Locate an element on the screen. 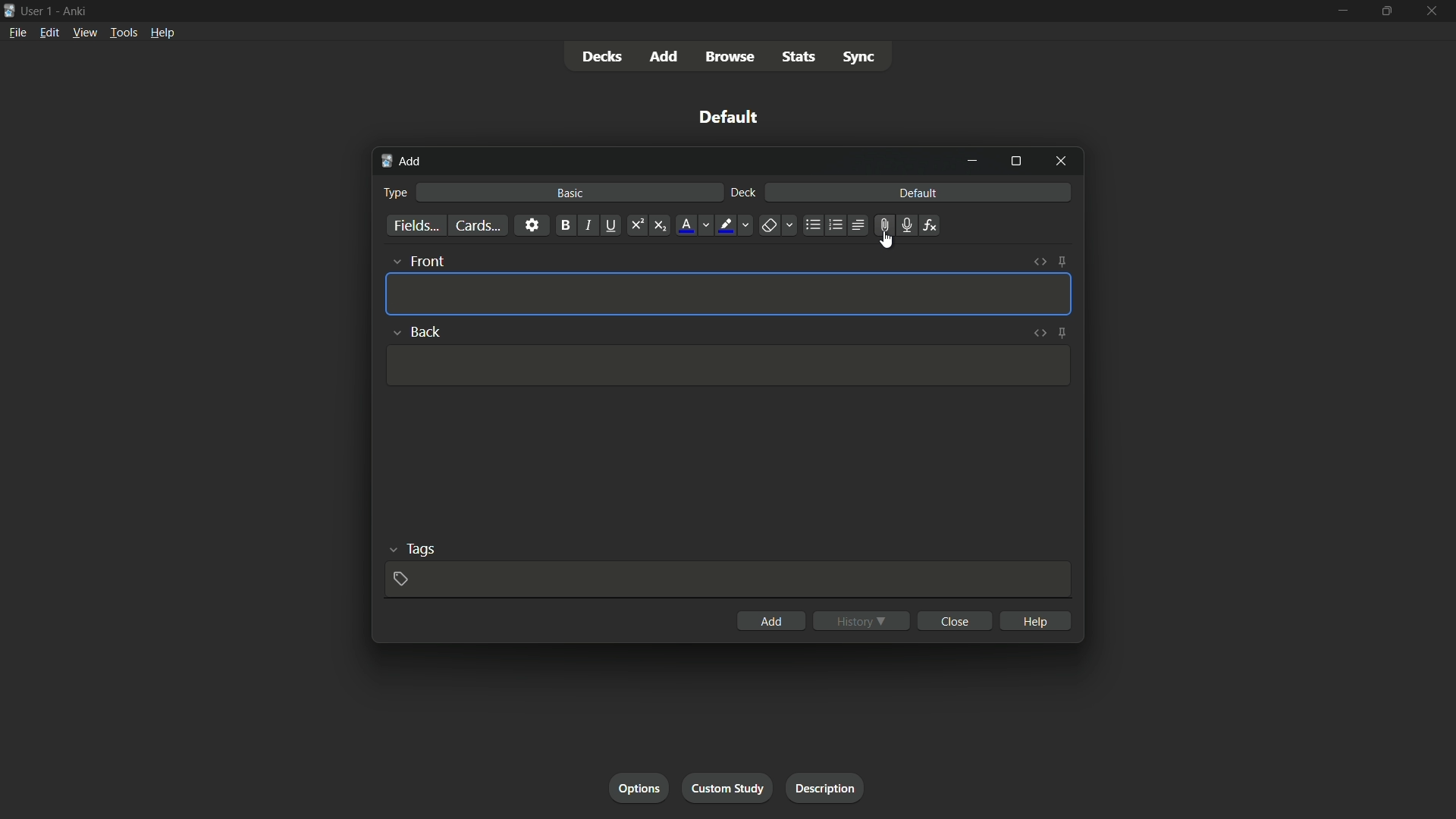  toggle sticky is located at coordinates (1065, 332).